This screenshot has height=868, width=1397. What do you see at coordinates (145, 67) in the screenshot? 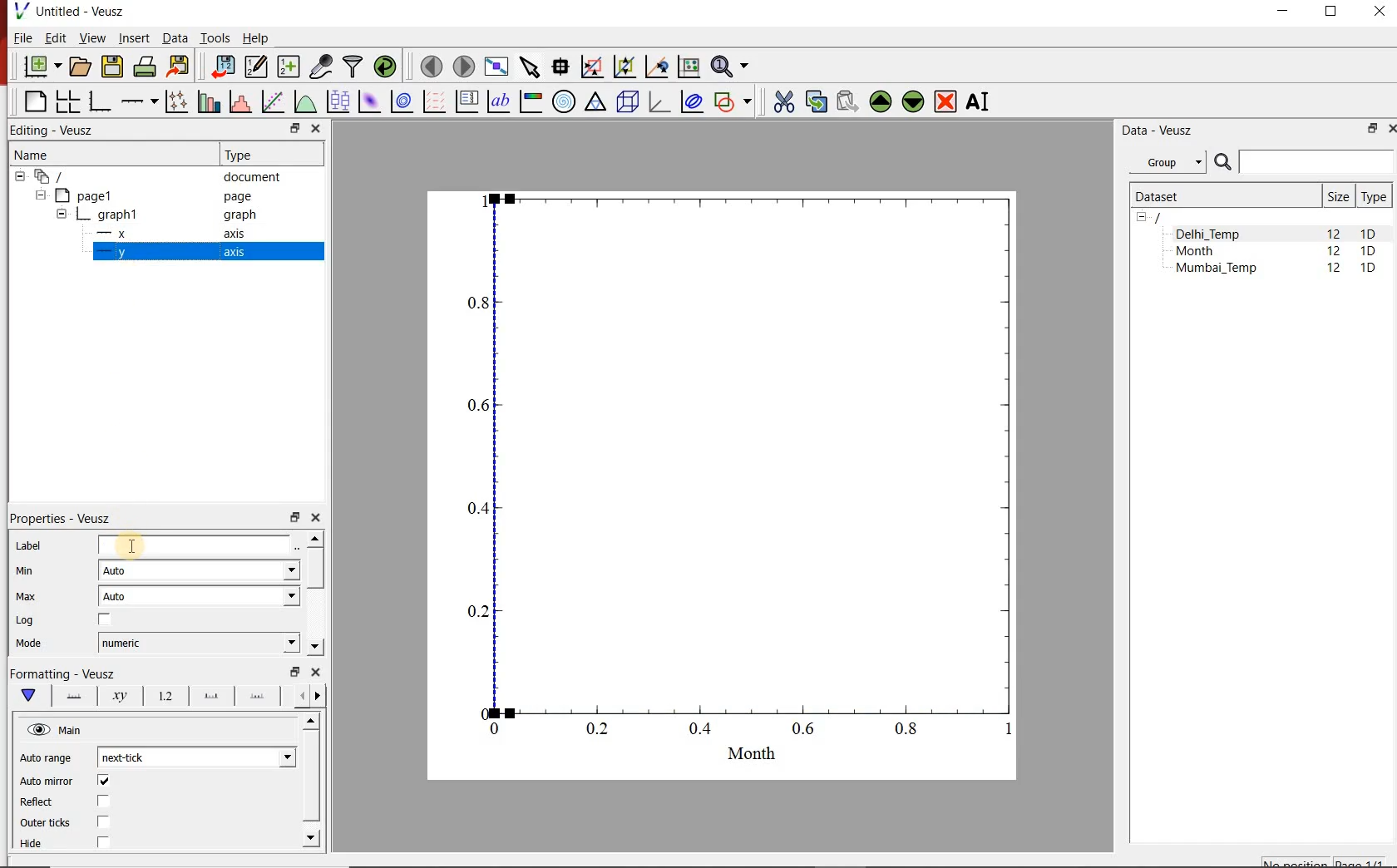
I see `print the document` at bounding box center [145, 67].